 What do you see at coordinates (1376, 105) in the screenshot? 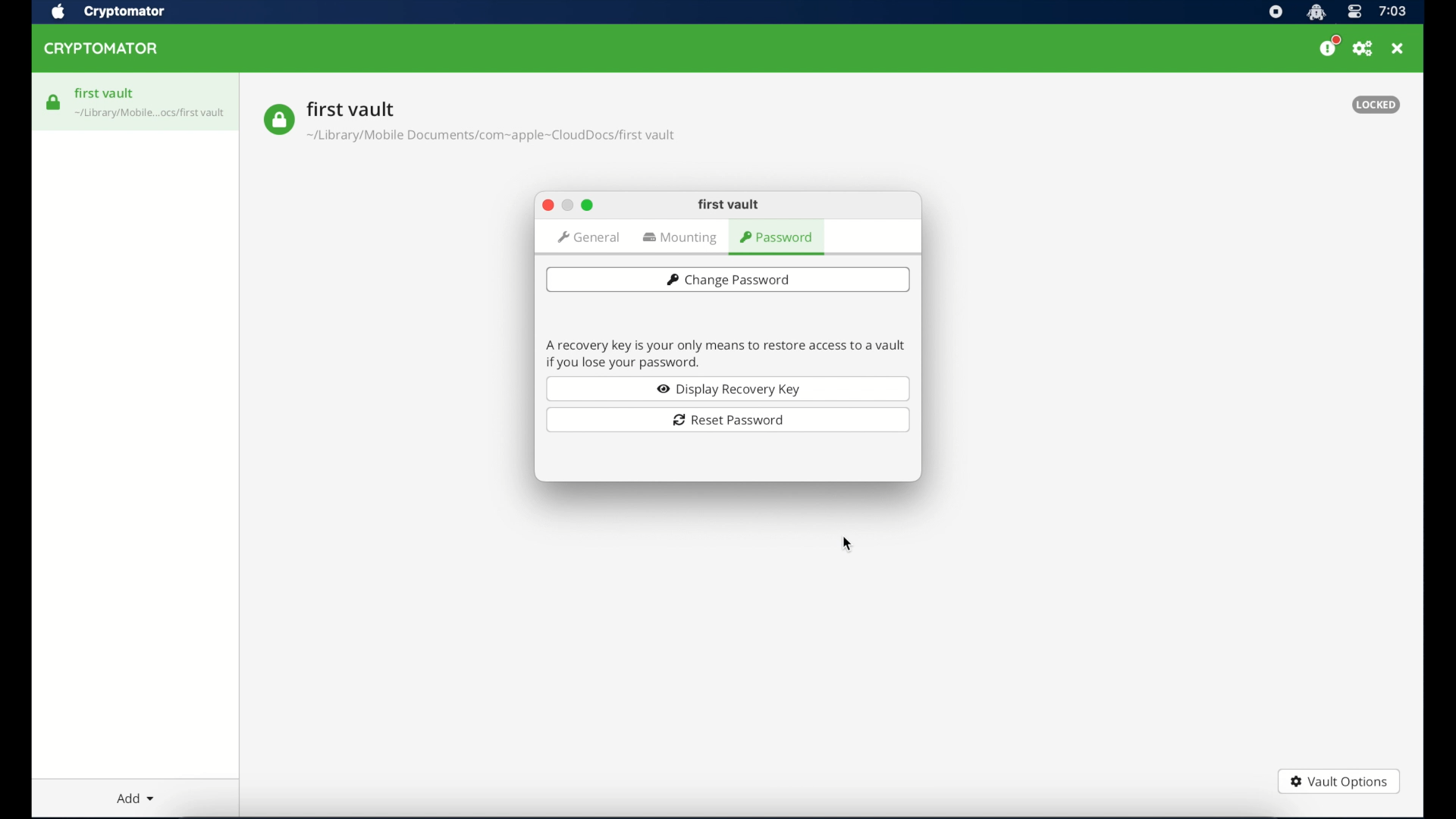
I see `locked` at bounding box center [1376, 105].